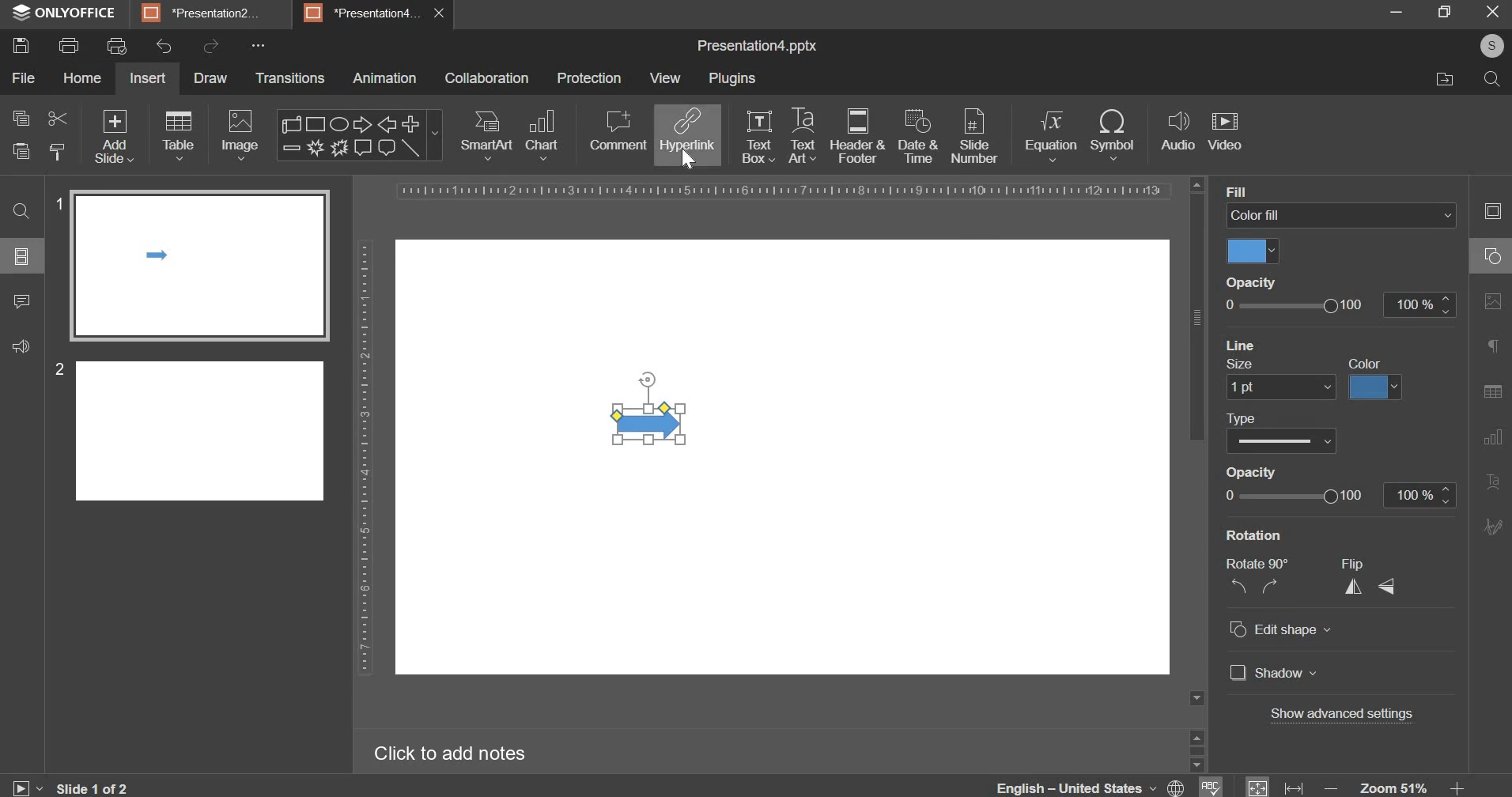 The width and height of the screenshot is (1512, 797). I want to click on options, so click(14, 254).